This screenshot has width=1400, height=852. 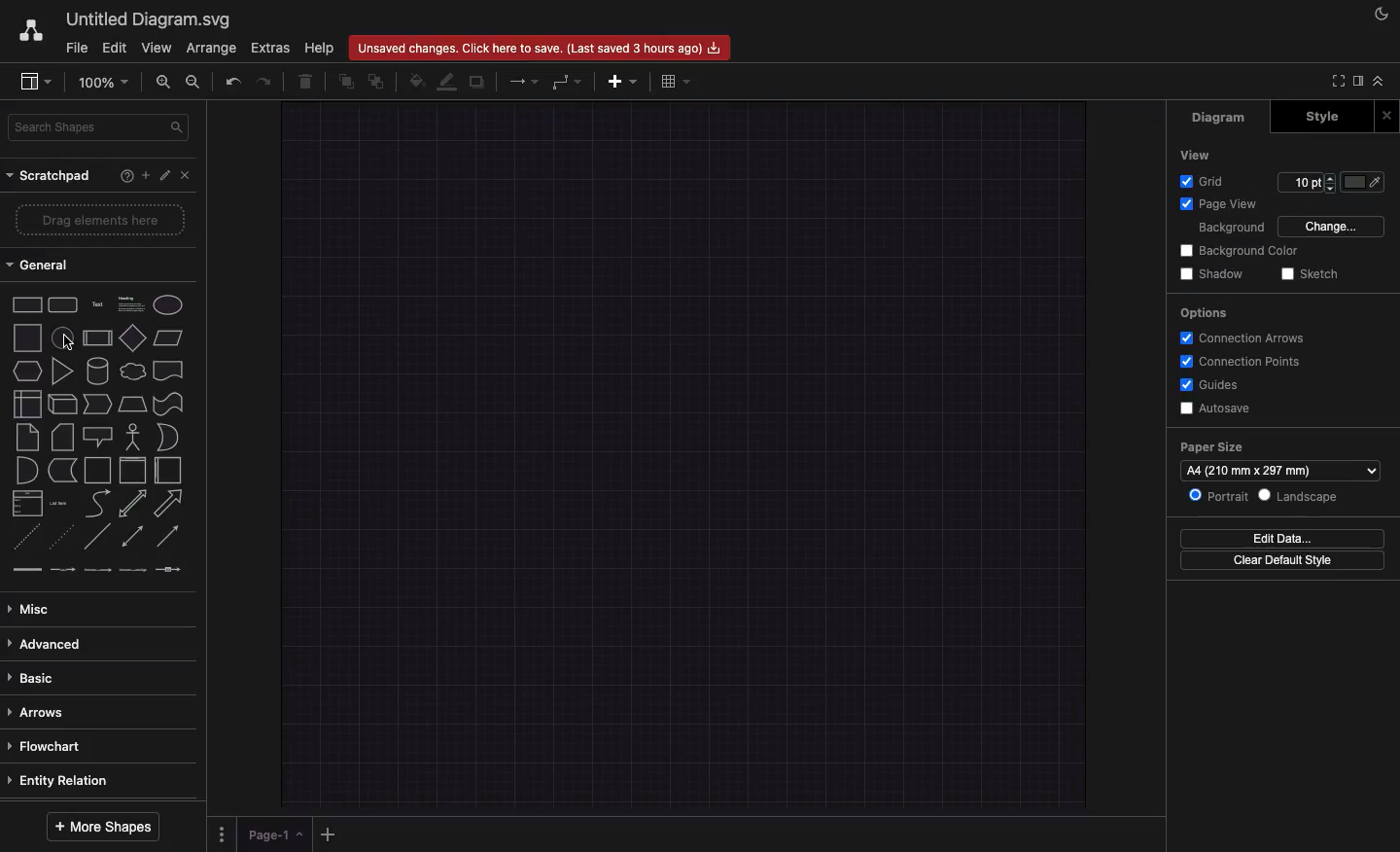 What do you see at coordinates (164, 177) in the screenshot?
I see `Edit` at bounding box center [164, 177].